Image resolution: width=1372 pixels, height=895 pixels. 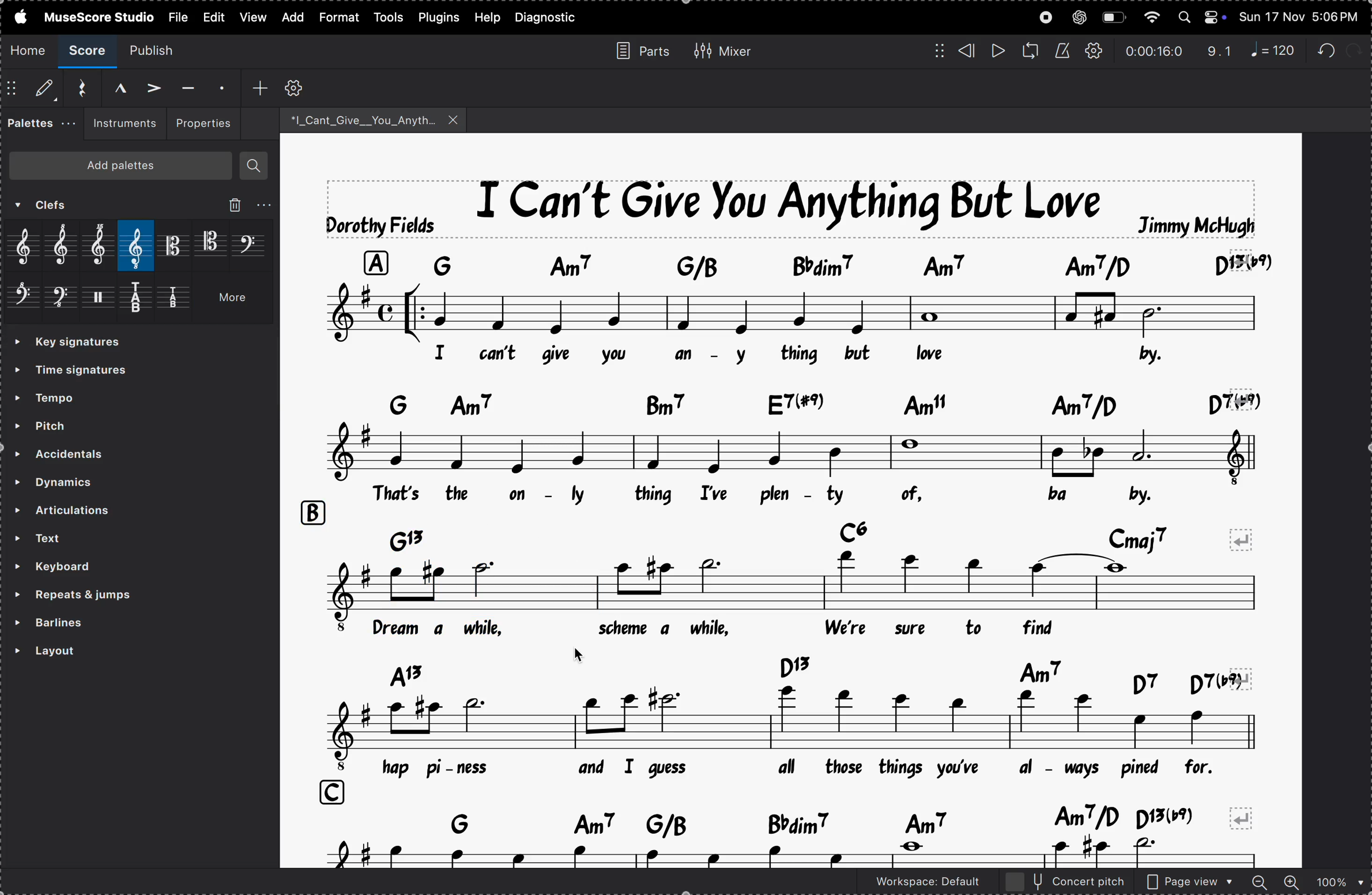 I want to click on key notes, so click(x=811, y=673).